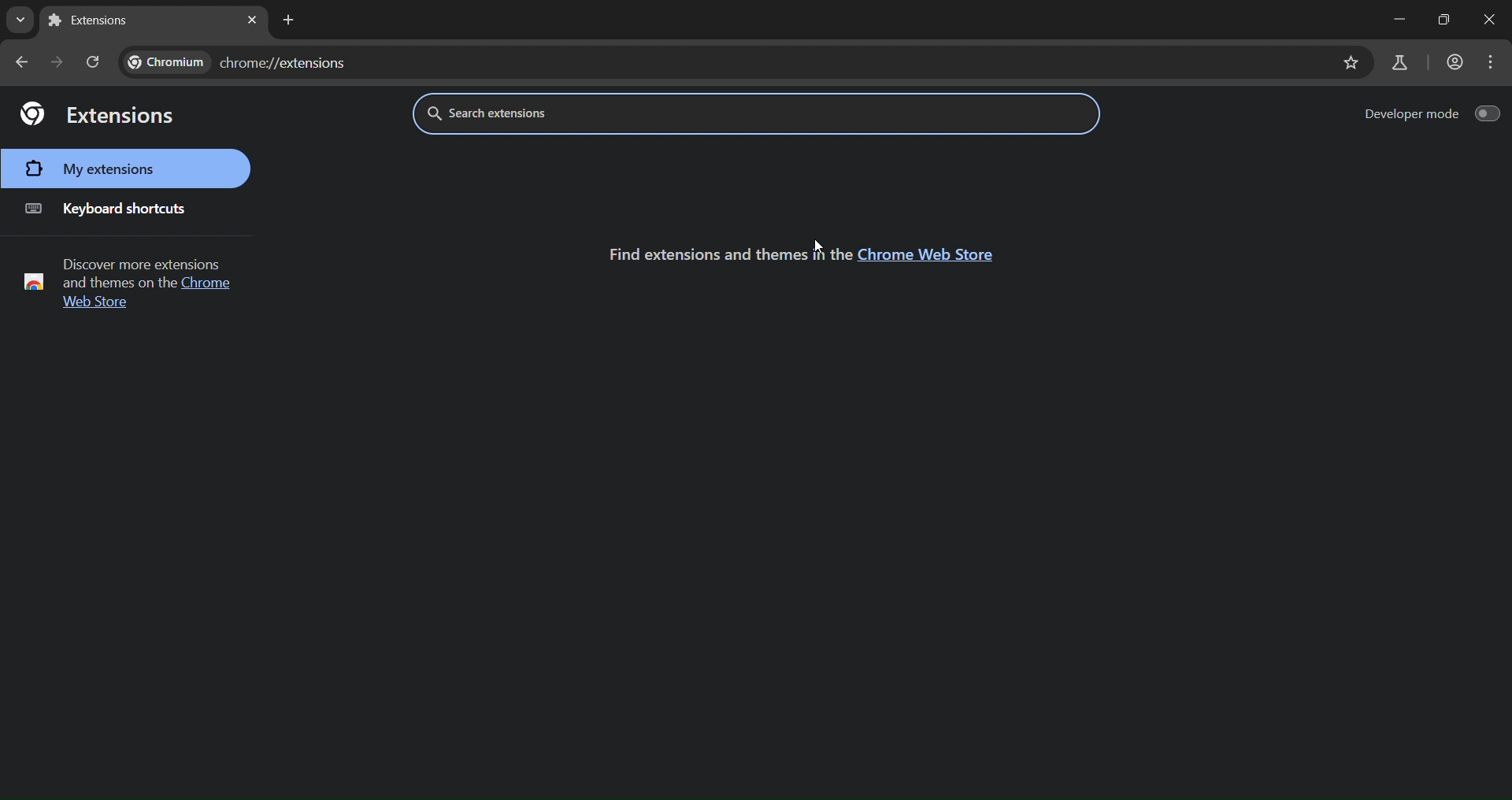 Image resolution: width=1512 pixels, height=800 pixels. Describe the element at coordinates (109, 20) in the screenshot. I see `current tab` at that location.